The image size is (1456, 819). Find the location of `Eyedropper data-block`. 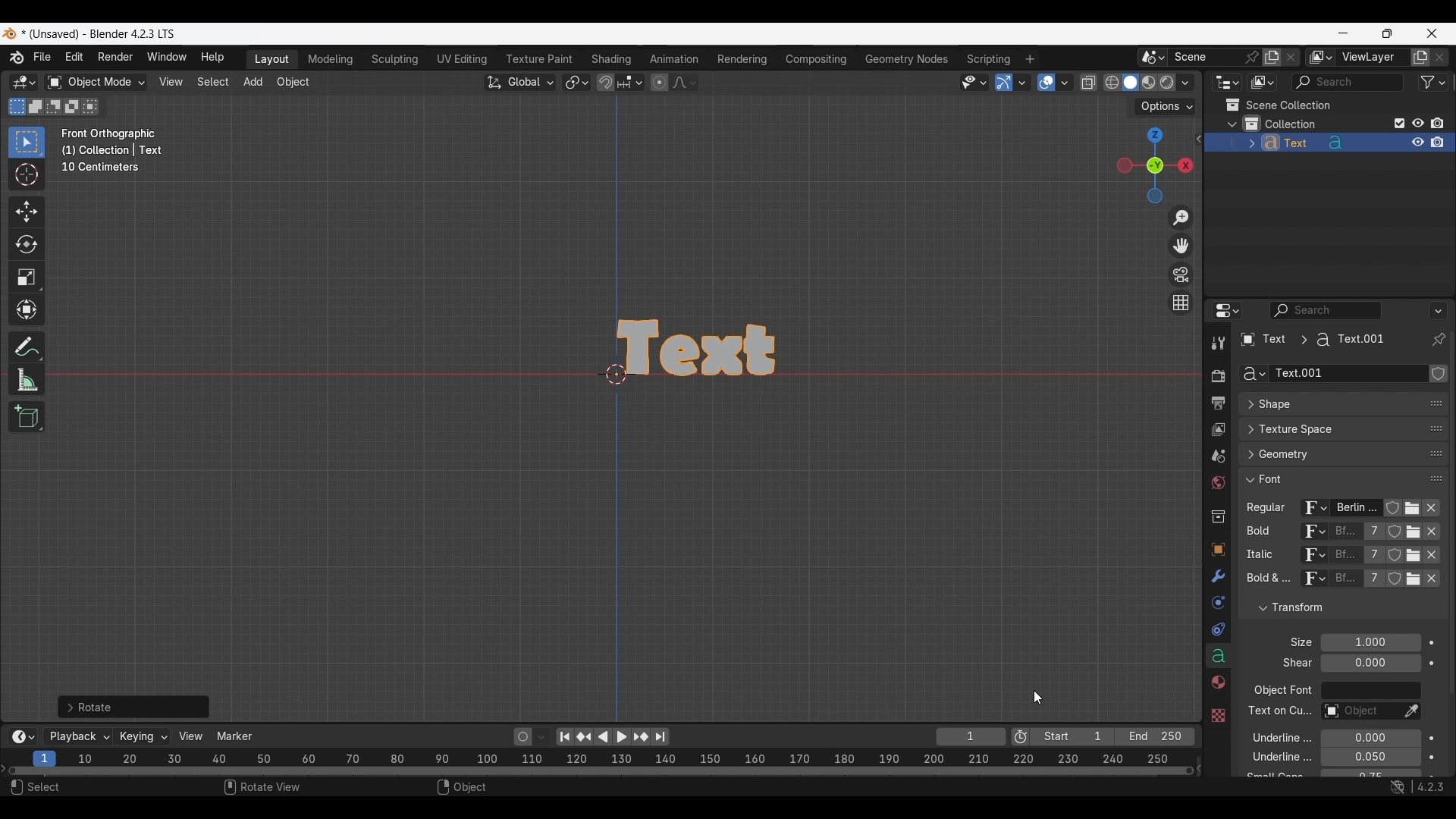

Eyedropper data-block is located at coordinates (1429, 399).